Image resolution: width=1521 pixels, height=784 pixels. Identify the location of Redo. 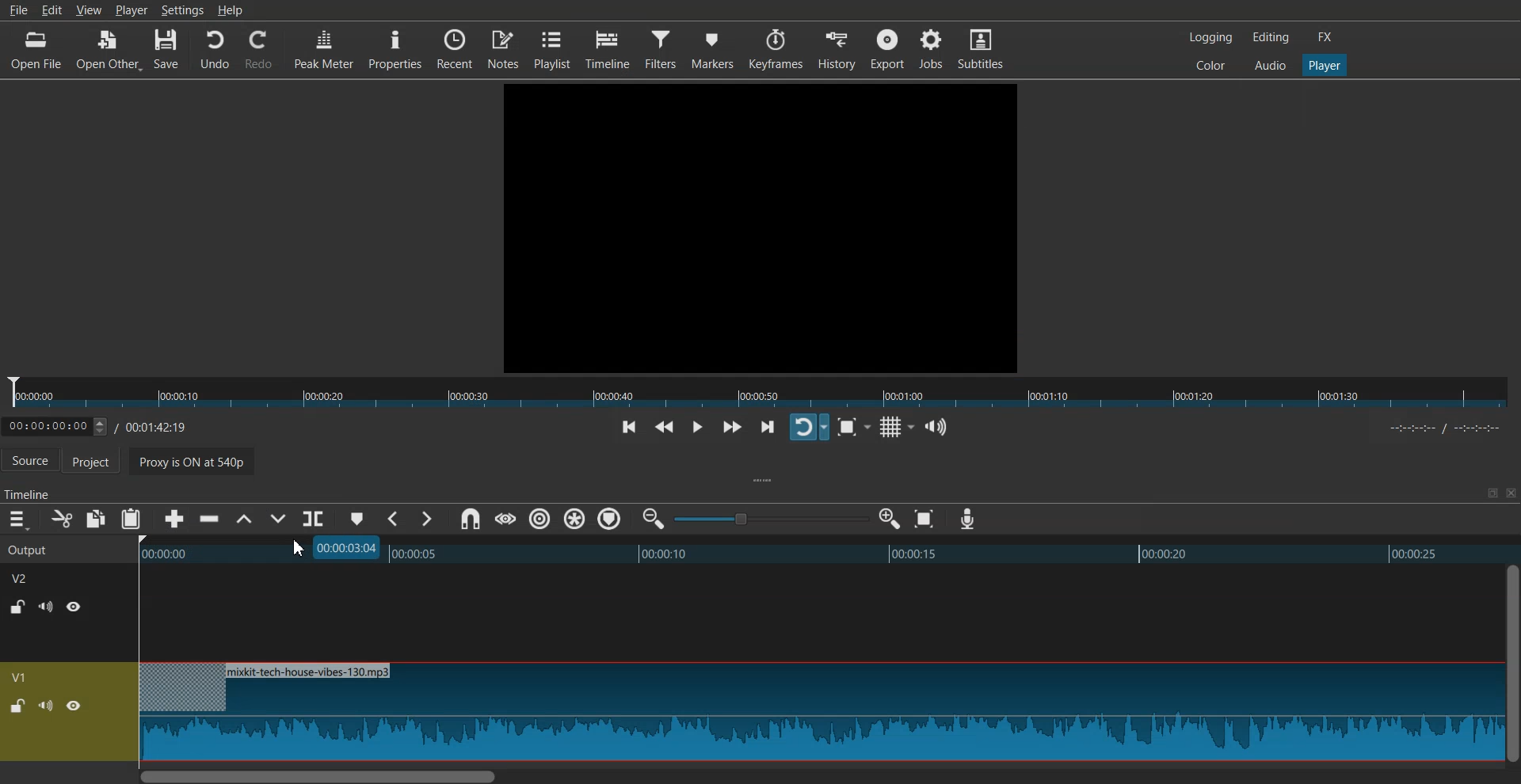
(259, 50).